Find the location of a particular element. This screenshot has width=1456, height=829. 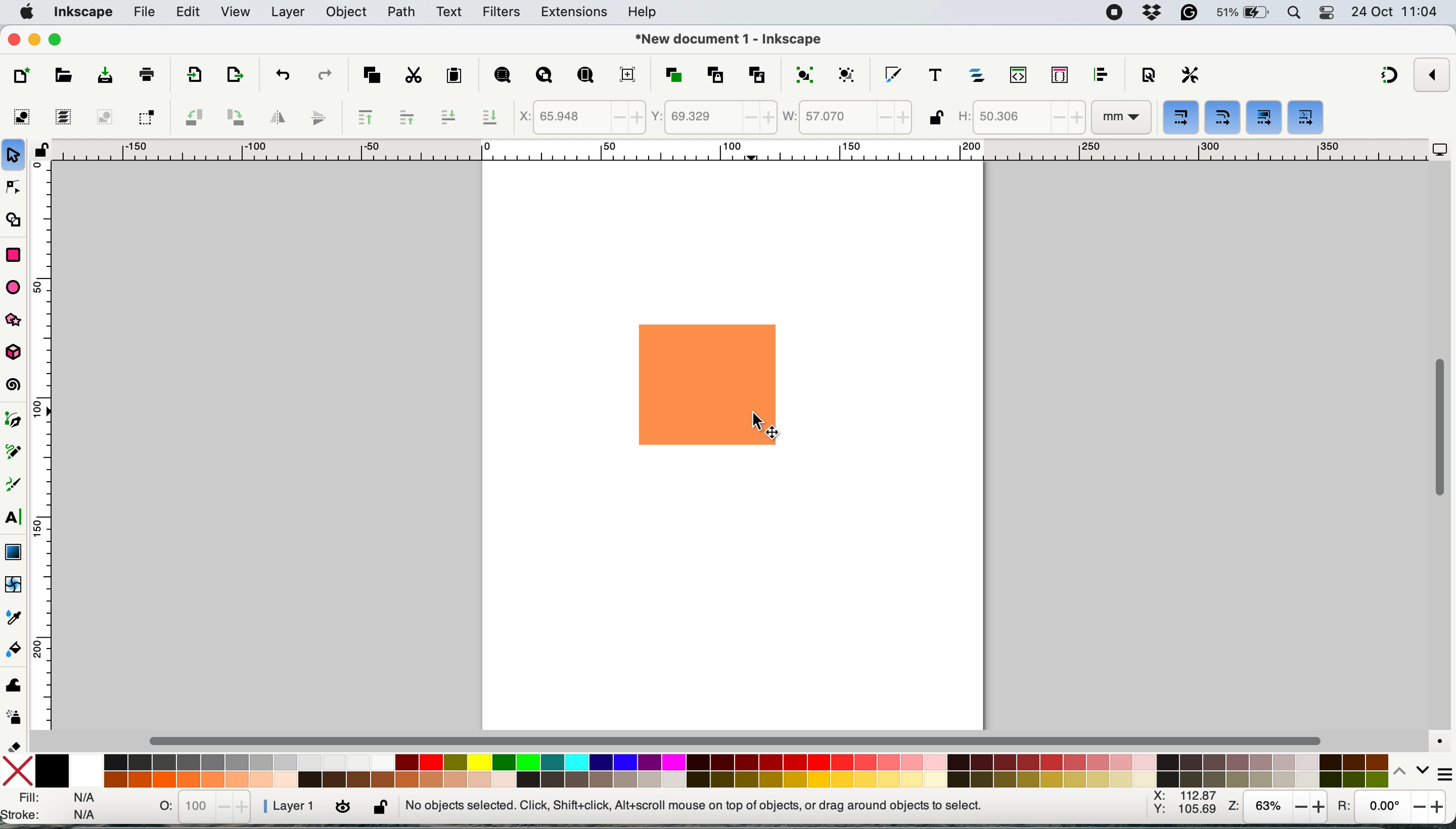

help is located at coordinates (646, 13).